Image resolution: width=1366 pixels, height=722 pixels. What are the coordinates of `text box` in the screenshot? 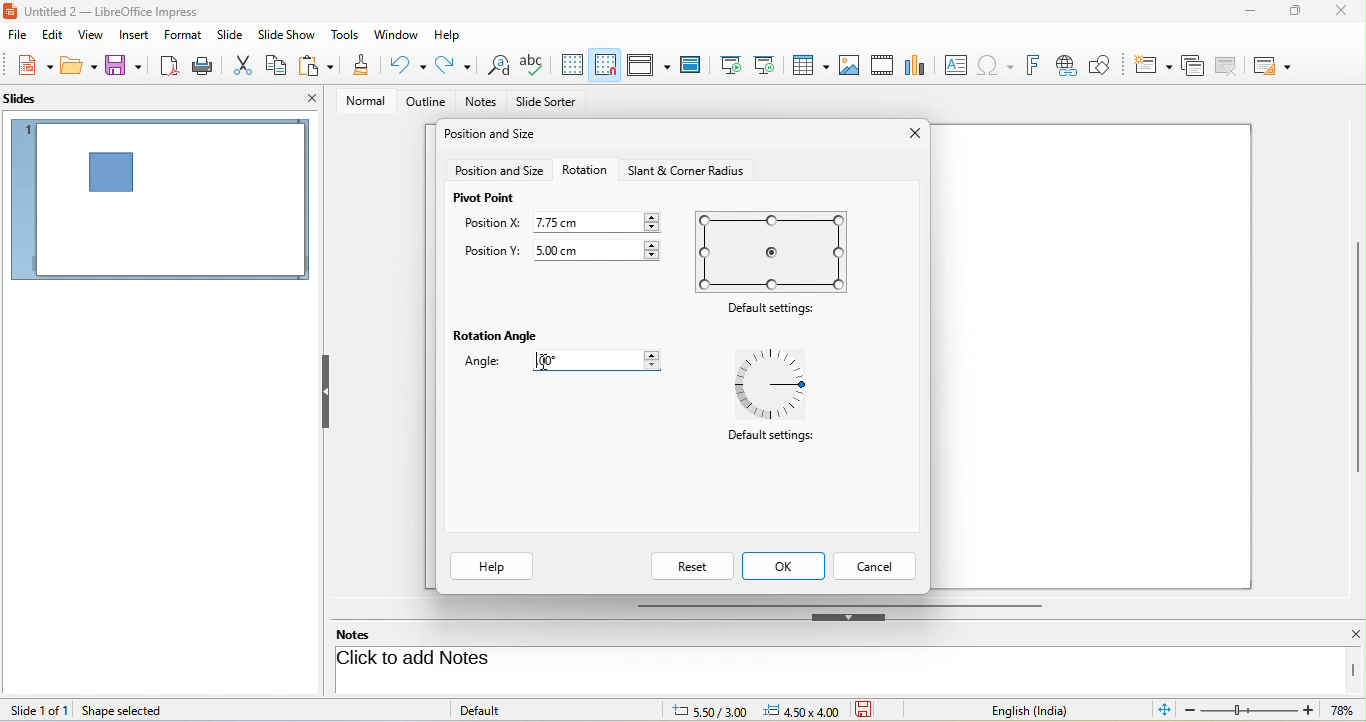 It's located at (953, 65).